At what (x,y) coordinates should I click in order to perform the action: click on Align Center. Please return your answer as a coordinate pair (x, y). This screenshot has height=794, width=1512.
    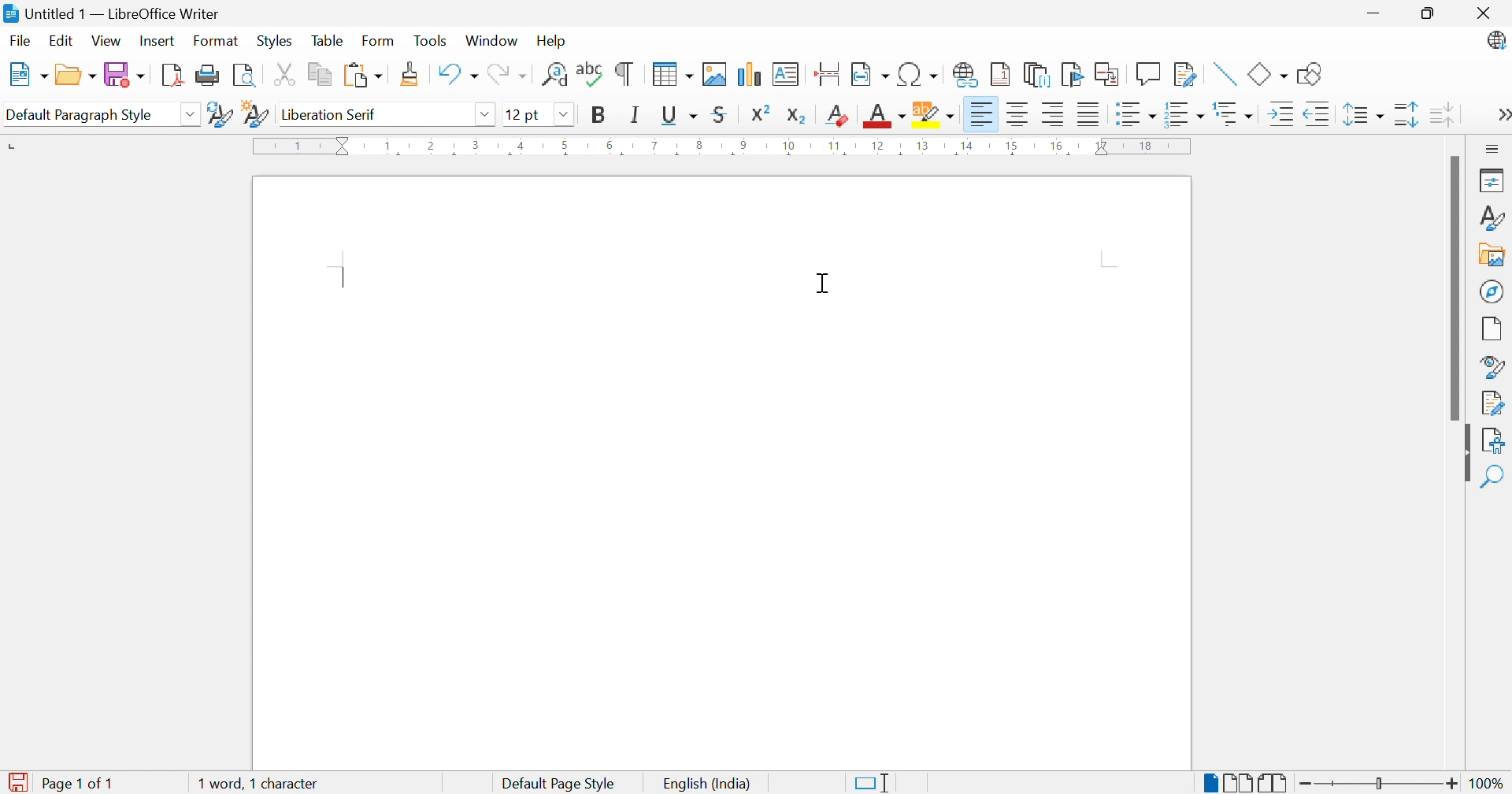
    Looking at the image, I should click on (1017, 114).